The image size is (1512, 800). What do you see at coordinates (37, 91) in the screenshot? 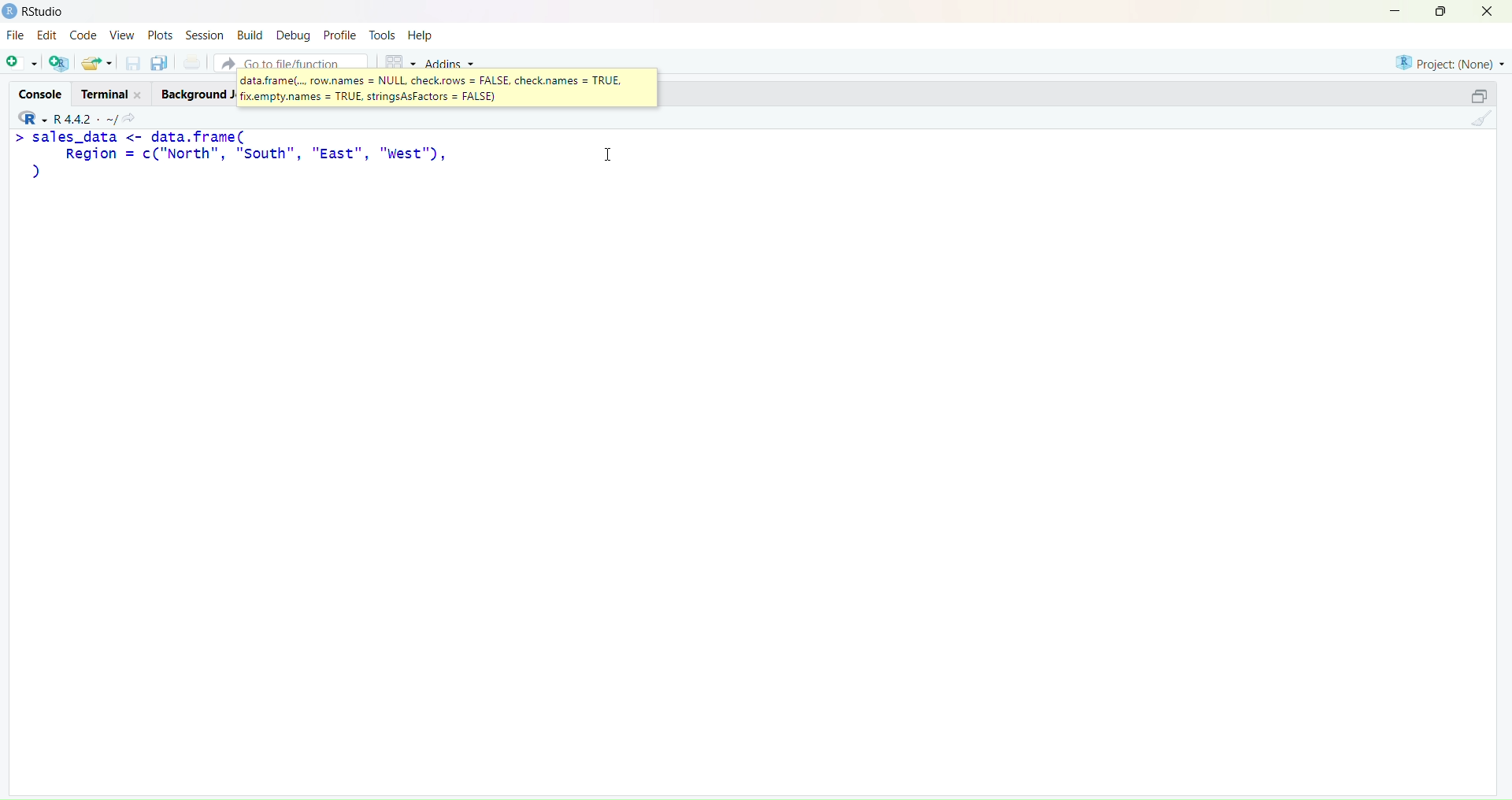
I see `Console` at bounding box center [37, 91].